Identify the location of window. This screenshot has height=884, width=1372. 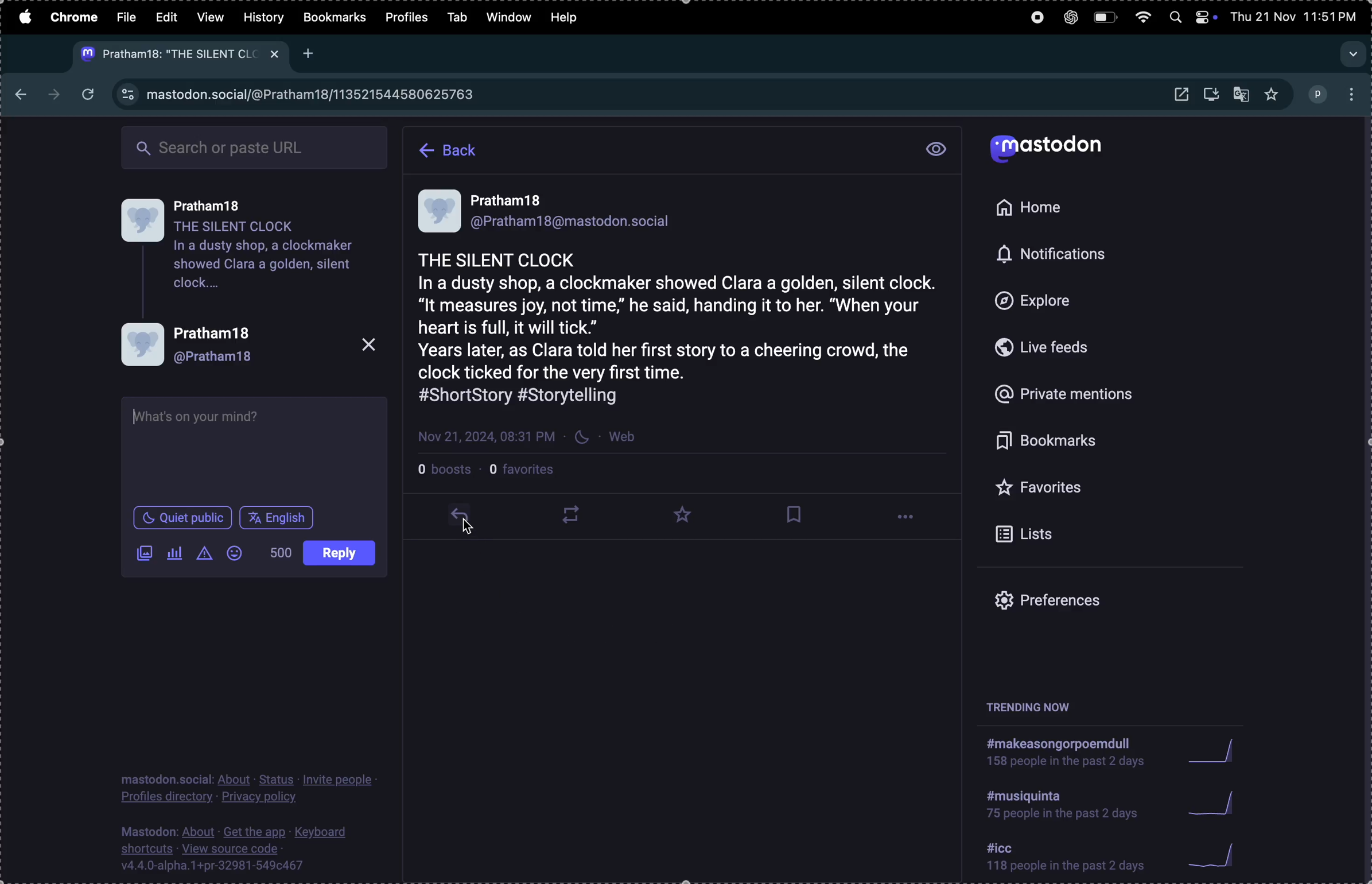
(510, 17).